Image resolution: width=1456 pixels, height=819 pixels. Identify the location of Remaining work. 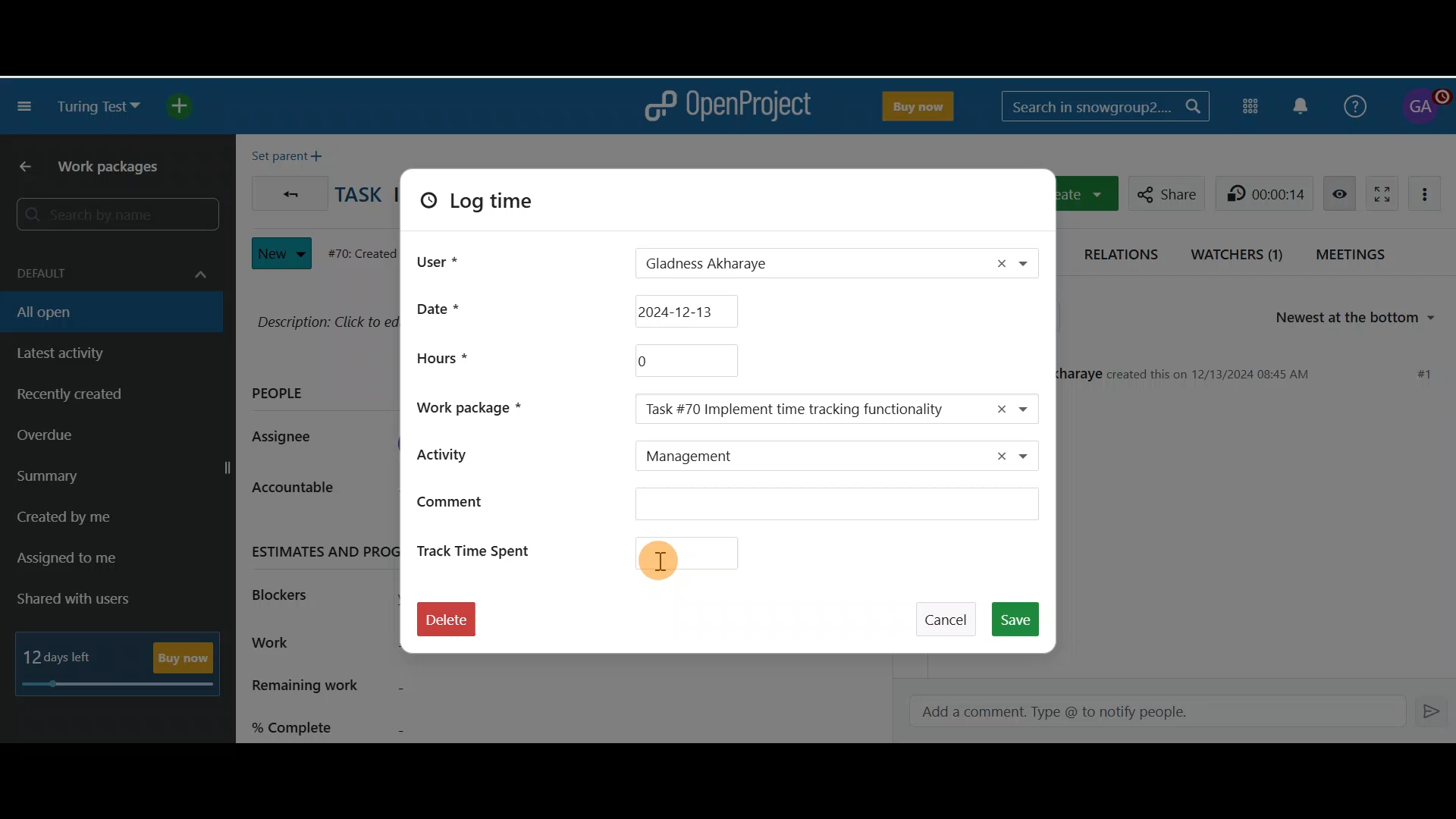
(403, 687).